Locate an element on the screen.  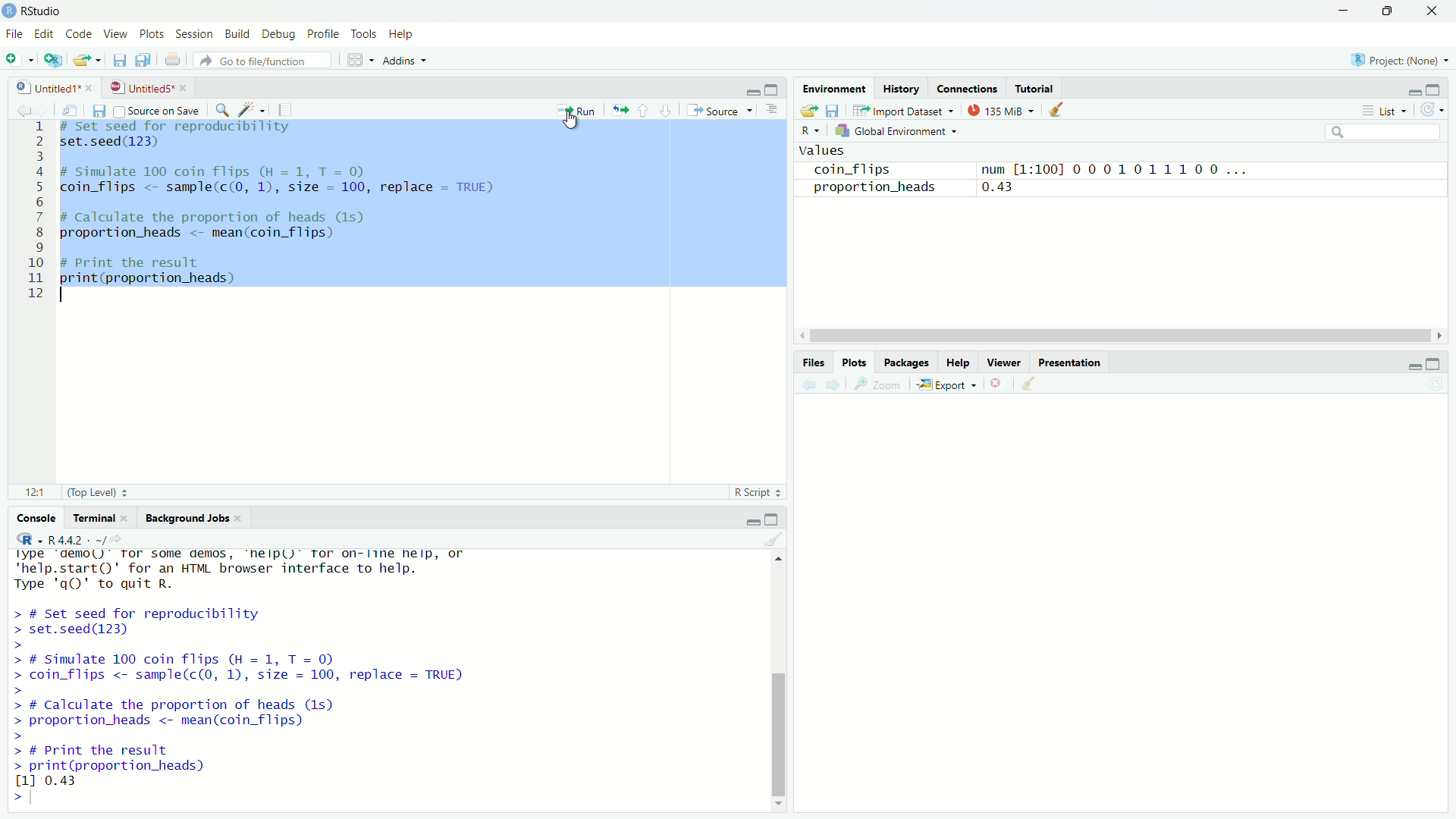
file is located at coordinates (14, 36).